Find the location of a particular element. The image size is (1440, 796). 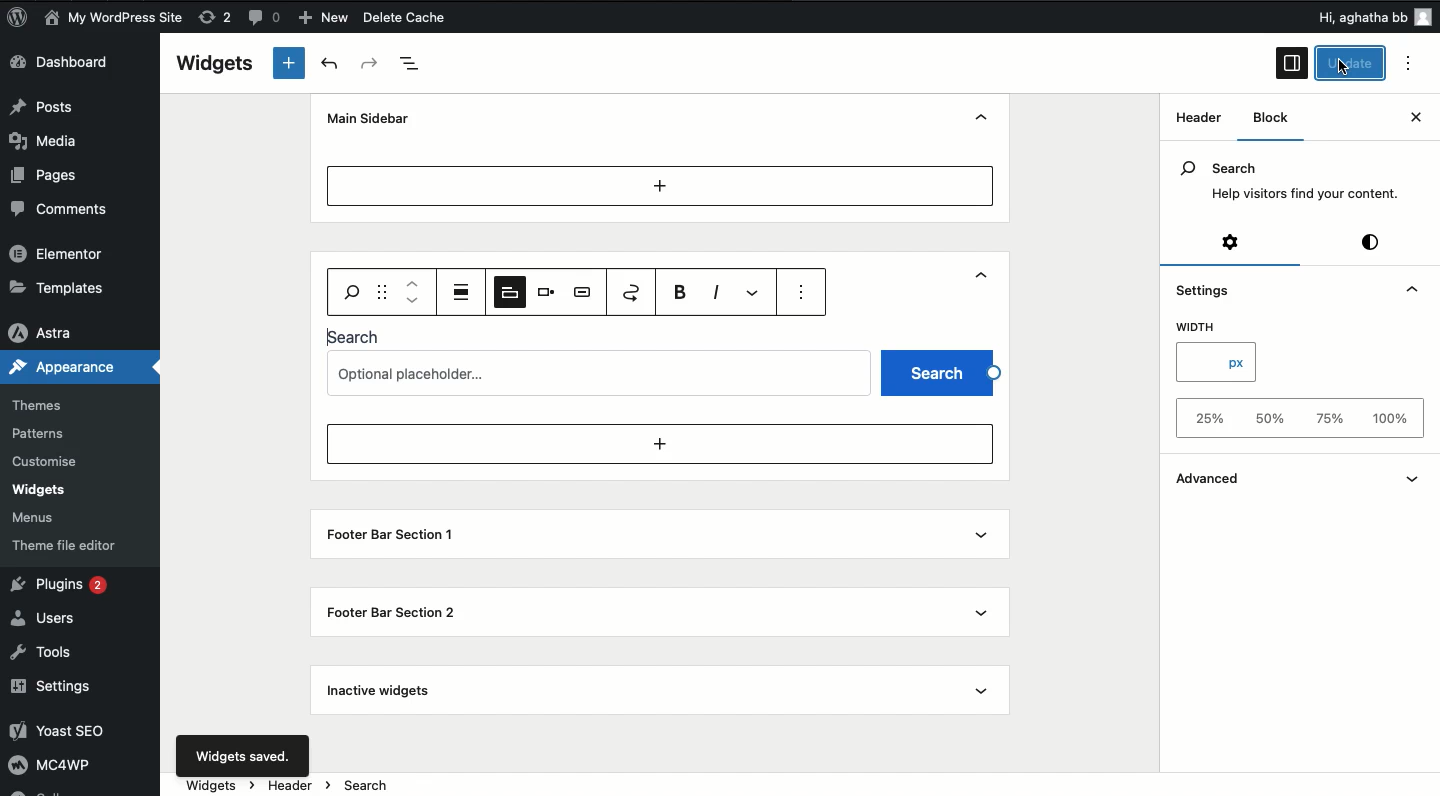

Widget areas is located at coordinates (1192, 124).